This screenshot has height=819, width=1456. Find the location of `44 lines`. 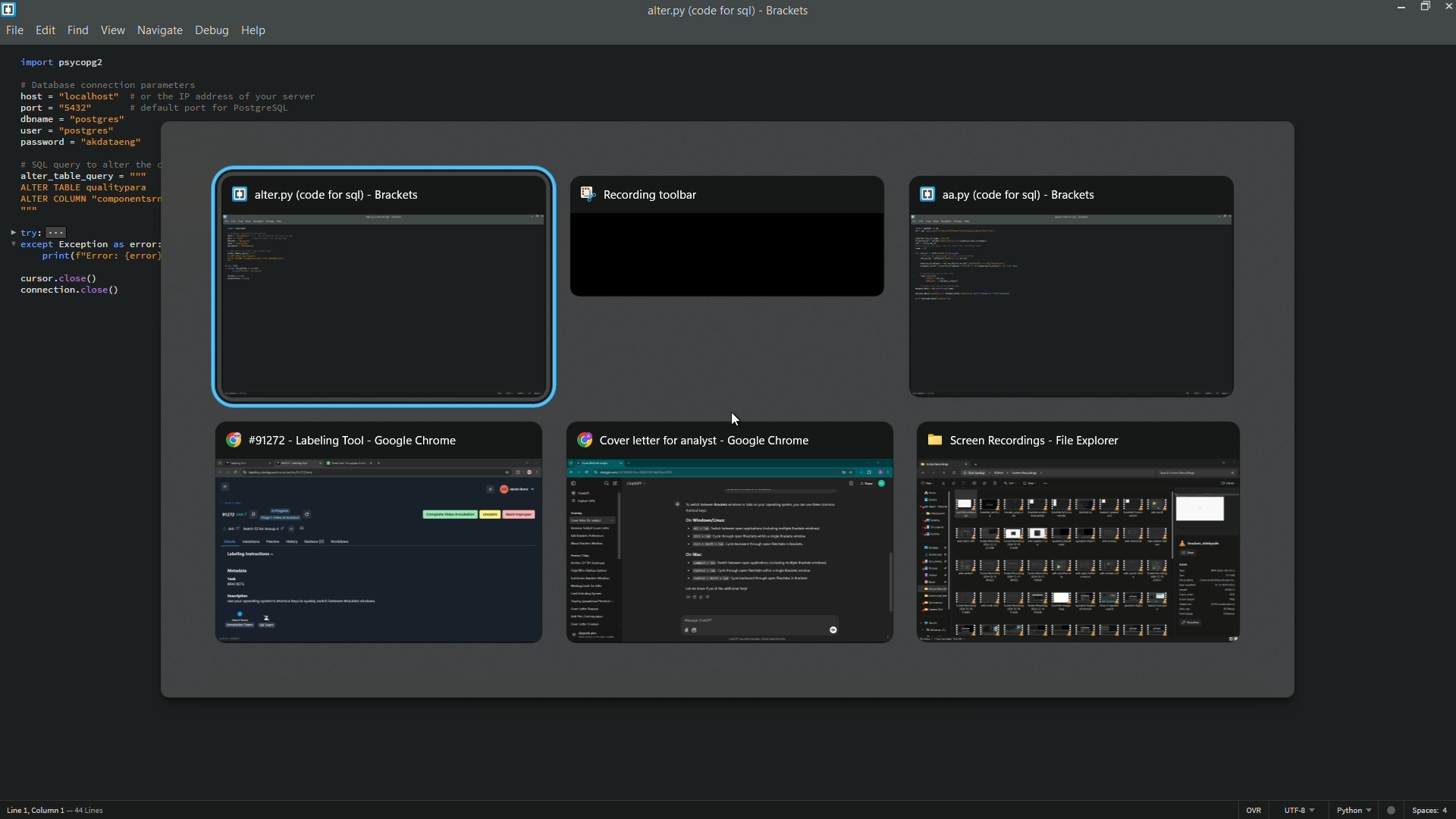

44 lines is located at coordinates (89, 811).